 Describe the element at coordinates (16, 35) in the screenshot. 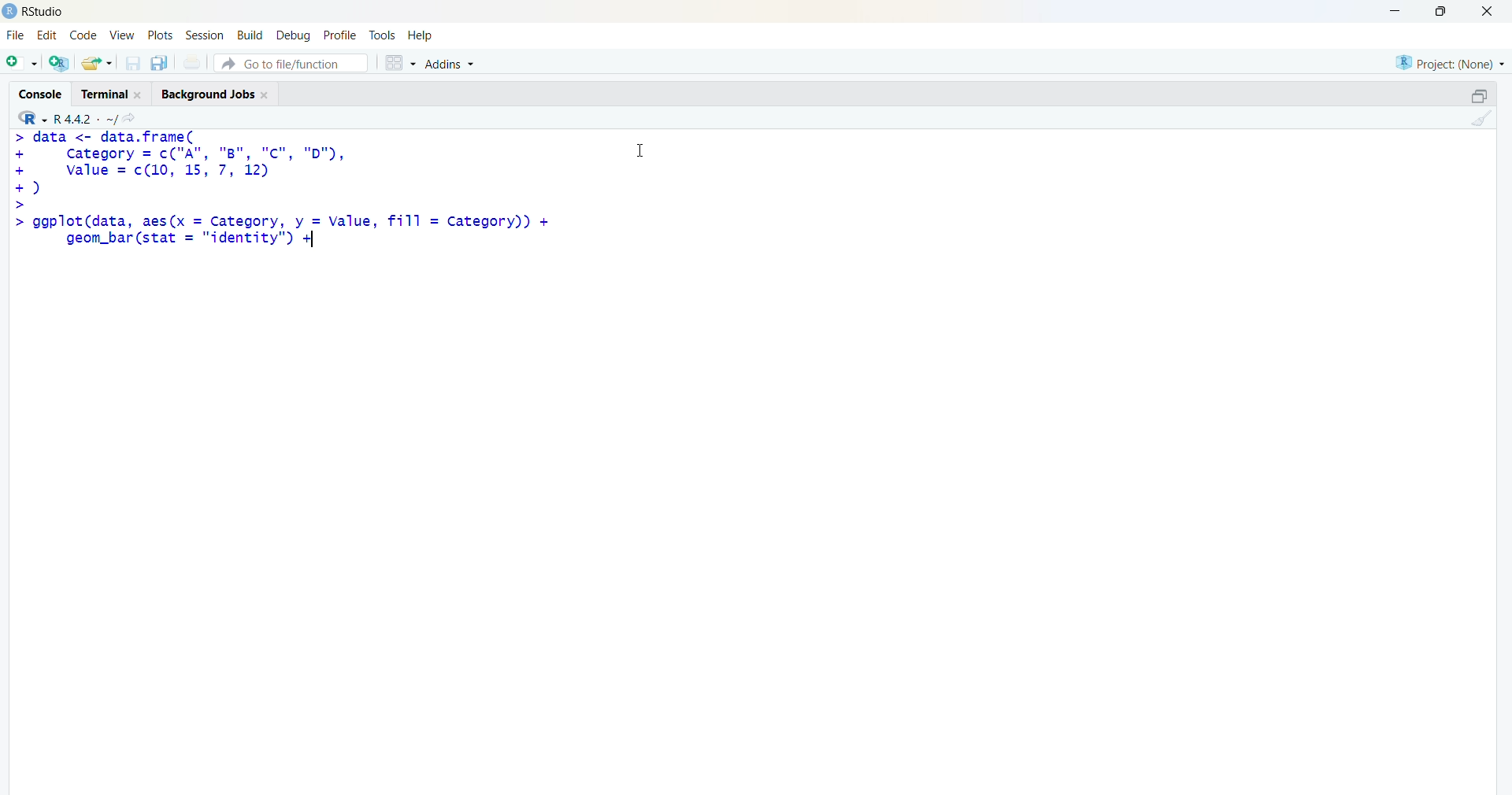

I see `File` at that location.